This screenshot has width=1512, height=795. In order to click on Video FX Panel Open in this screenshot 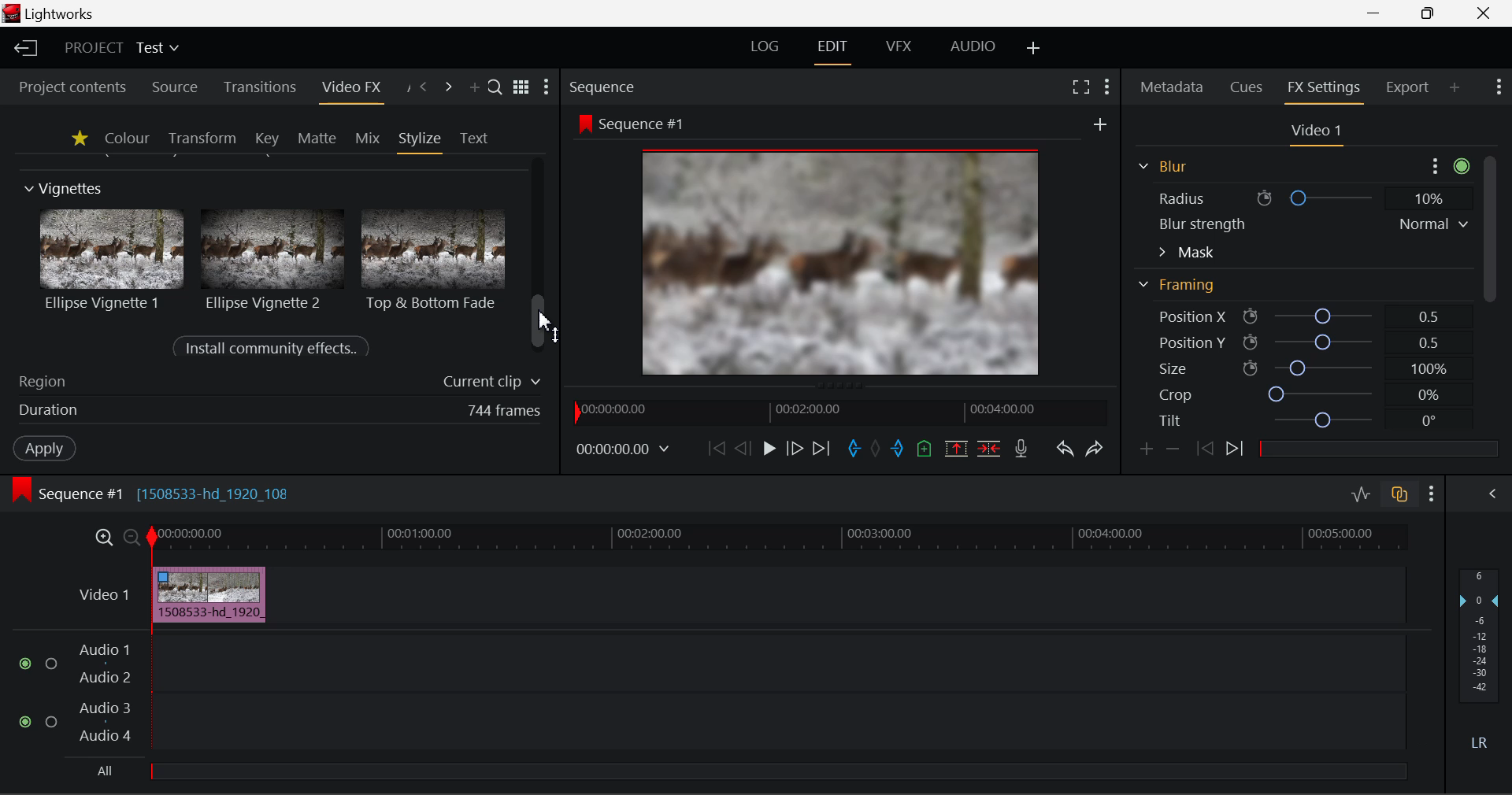, I will do `click(355, 89)`.